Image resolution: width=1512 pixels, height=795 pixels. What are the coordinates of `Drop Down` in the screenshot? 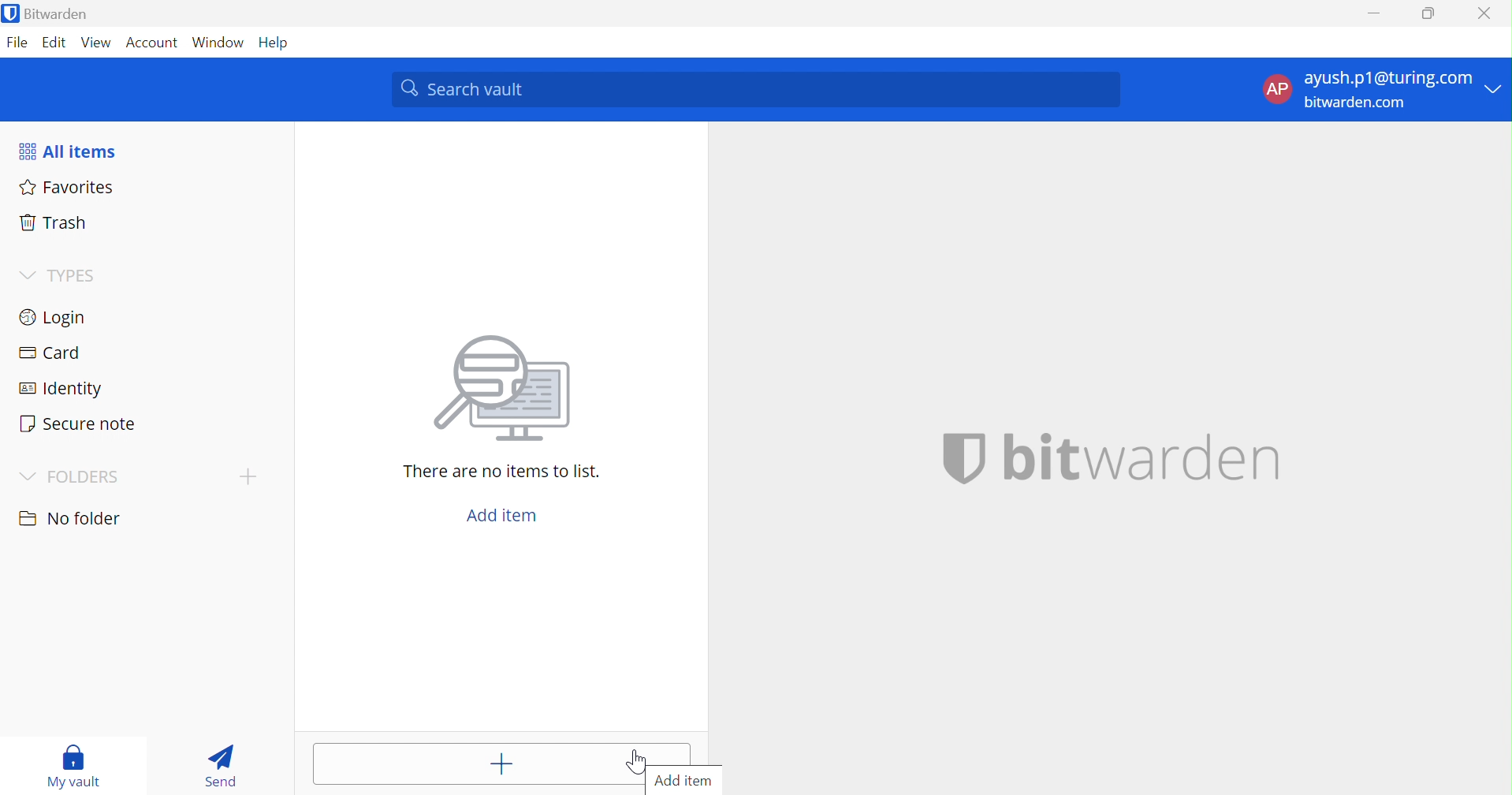 It's located at (25, 273).